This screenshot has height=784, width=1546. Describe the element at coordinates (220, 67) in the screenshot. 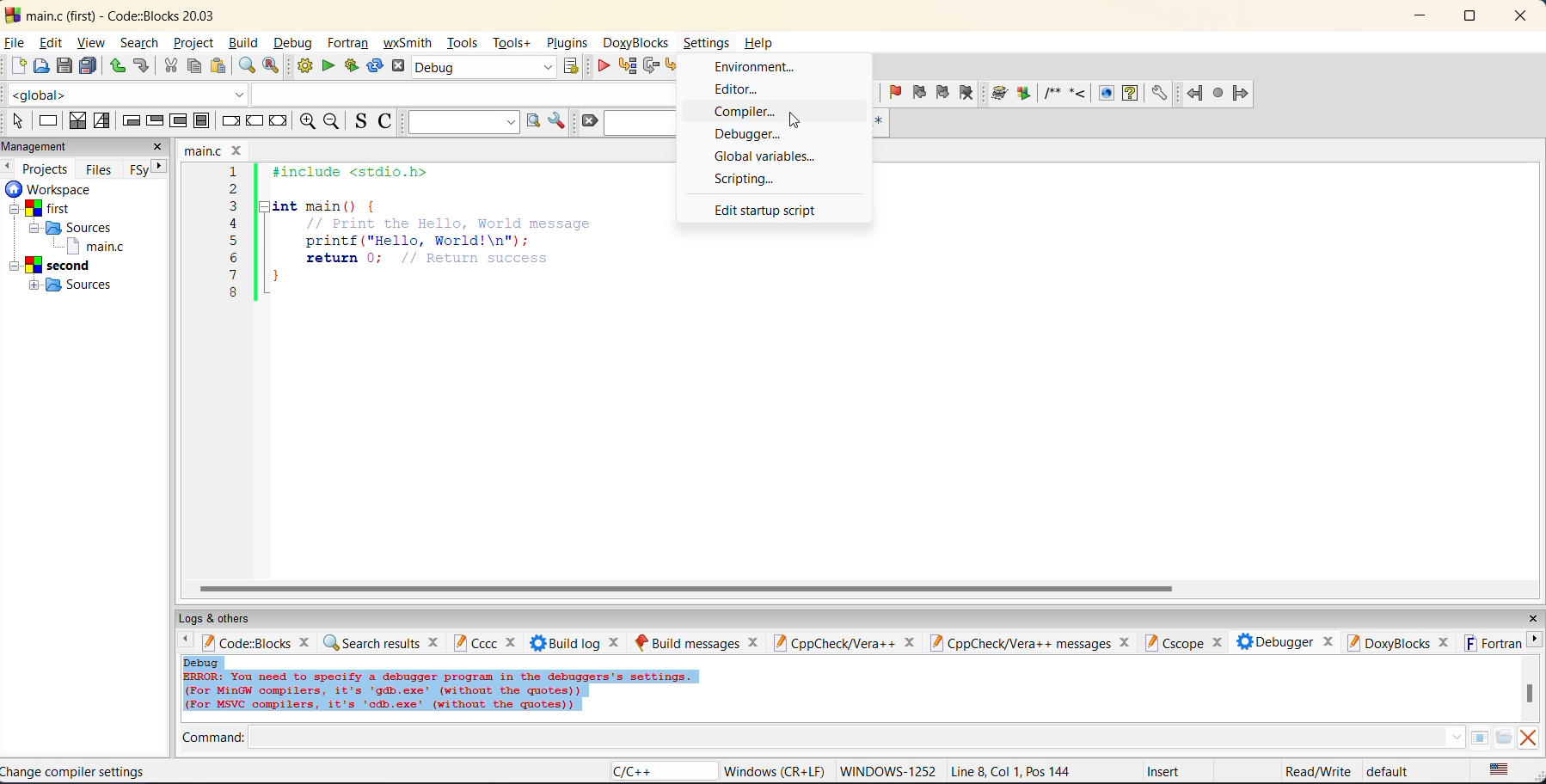

I see `paste` at that location.